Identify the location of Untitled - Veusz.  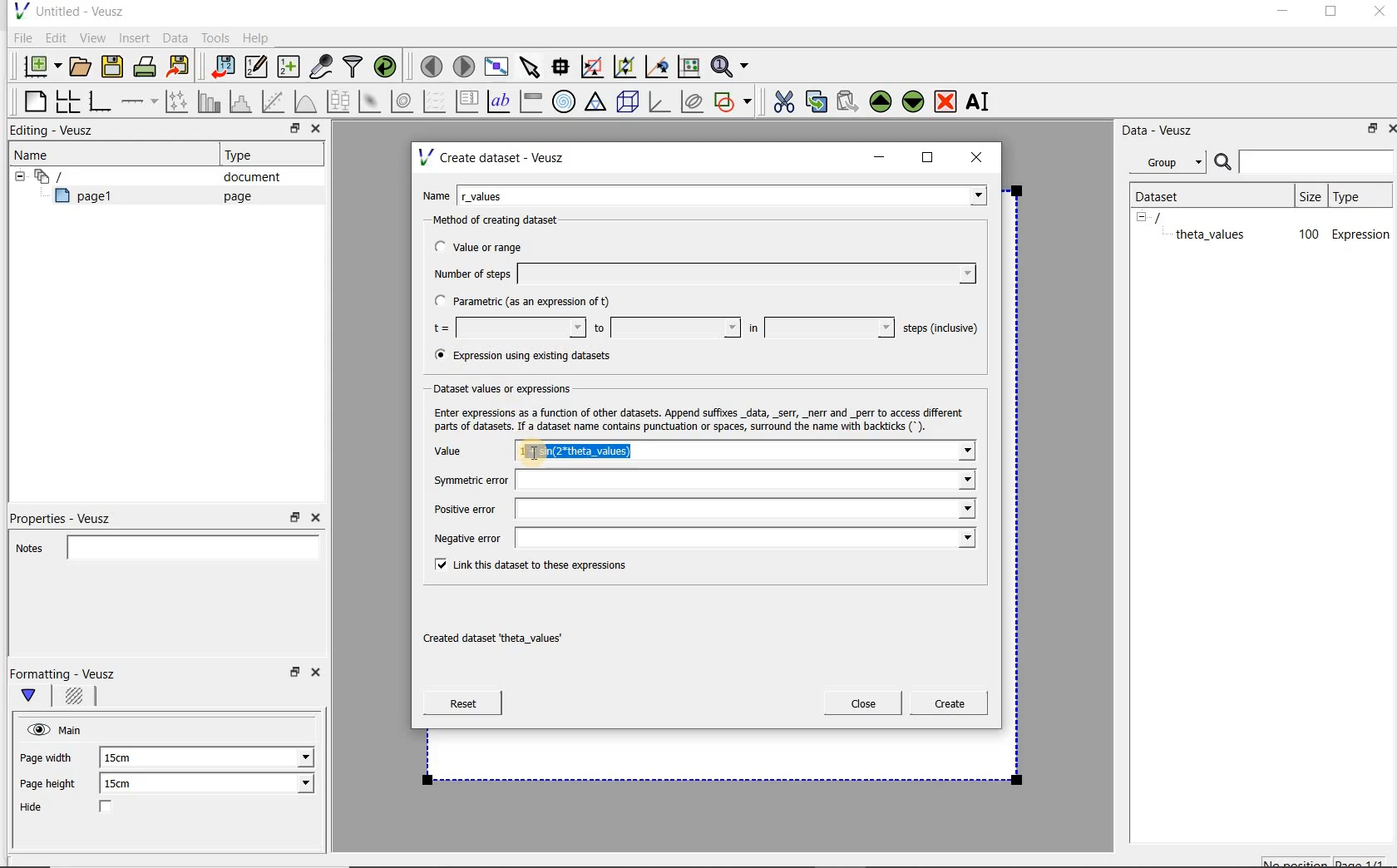
(67, 10).